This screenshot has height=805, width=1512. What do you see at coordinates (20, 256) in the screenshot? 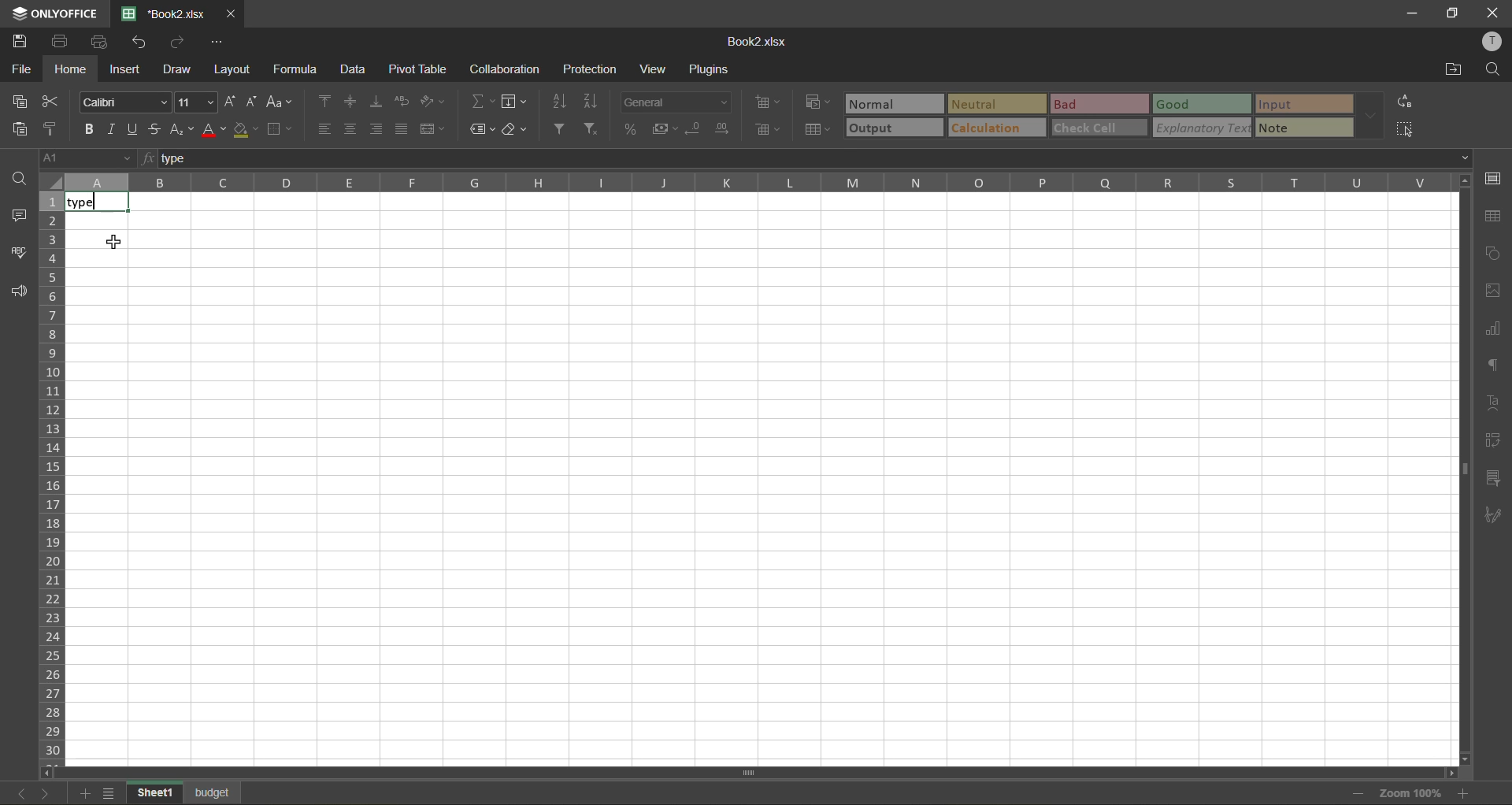
I see `spellcheck` at bounding box center [20, 256].